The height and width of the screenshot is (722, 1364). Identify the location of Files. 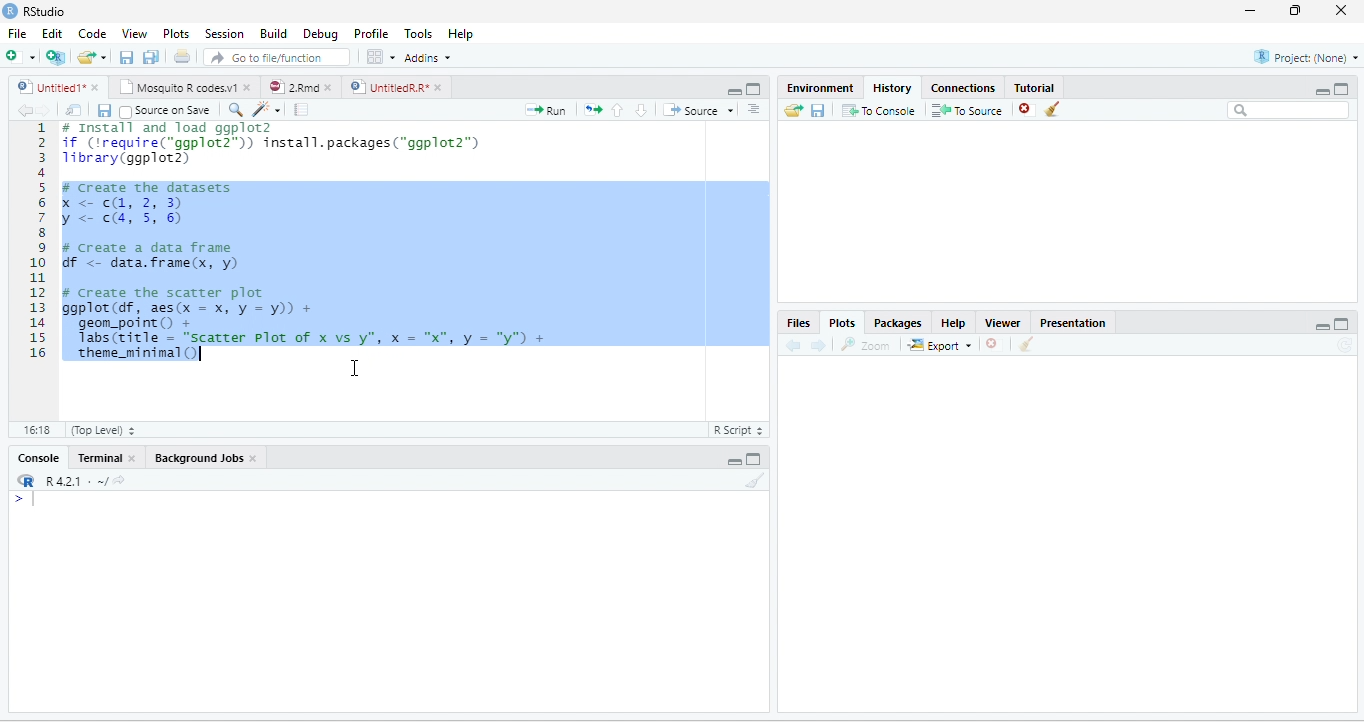
(798, 322).